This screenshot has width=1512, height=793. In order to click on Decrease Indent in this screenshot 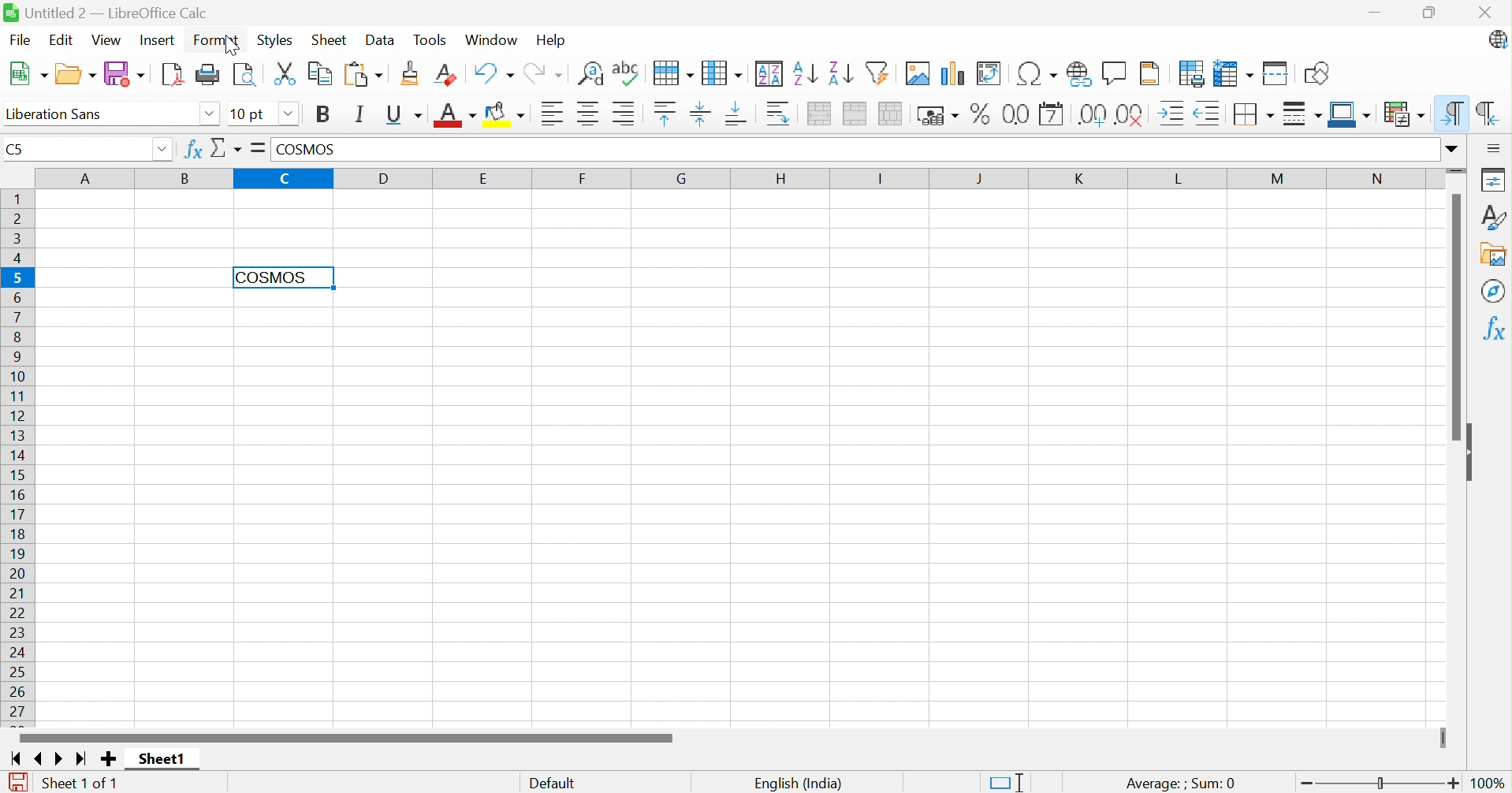, I will do `click(1210, 114)`.